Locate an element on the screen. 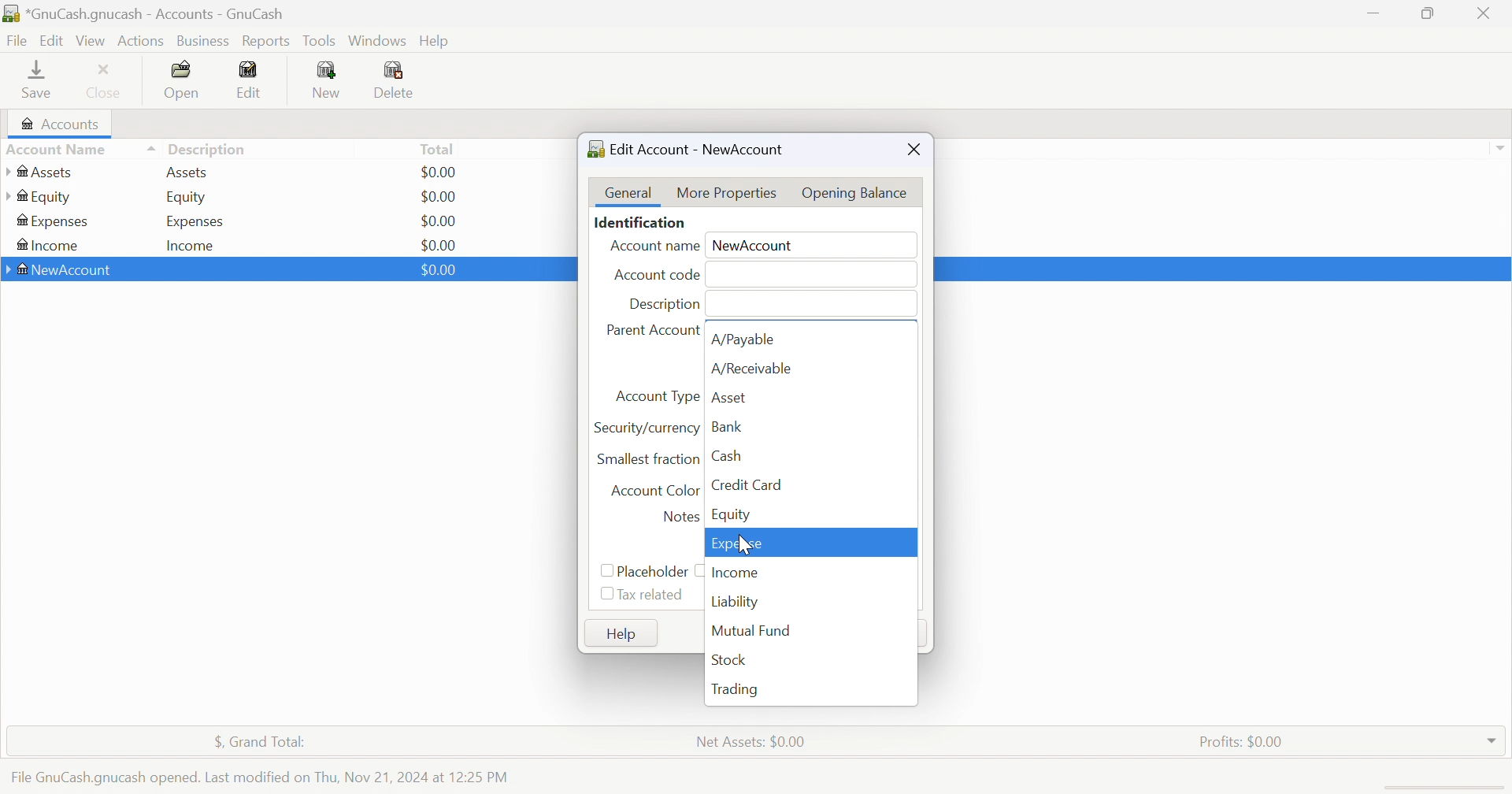 This screenshot has height=794, width=1512. Asset is located at coordinates (732, 398).